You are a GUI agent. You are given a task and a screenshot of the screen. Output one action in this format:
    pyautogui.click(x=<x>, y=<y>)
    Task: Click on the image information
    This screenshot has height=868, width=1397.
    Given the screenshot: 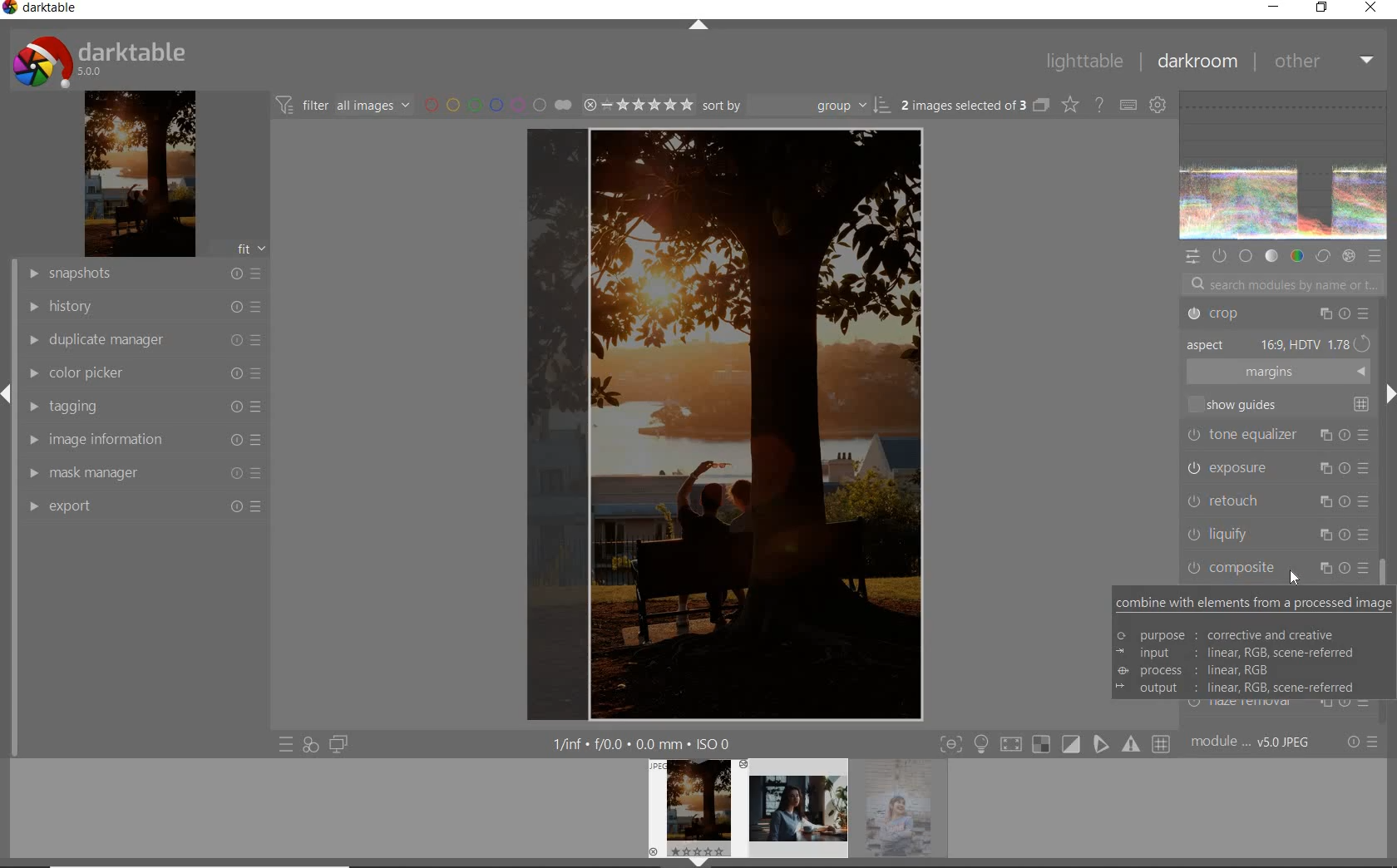 What is the action you would take?
    pyautogui.click(x=141, y=439)
    